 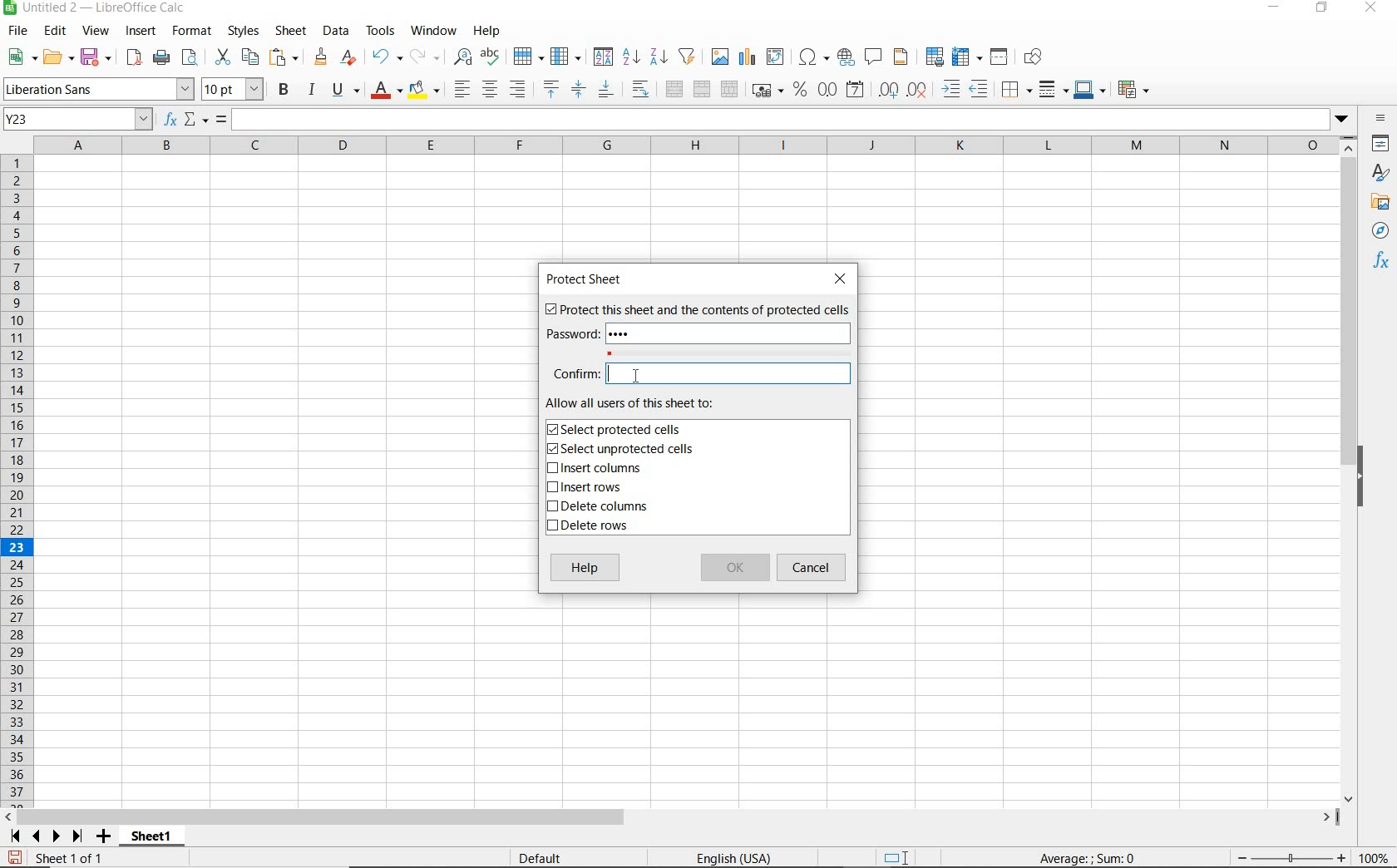 What do you see at coordinates (618, 429) in the screenshot?
I see `SELECT PROTECTED CELLS` at bounding box center [618, 429].